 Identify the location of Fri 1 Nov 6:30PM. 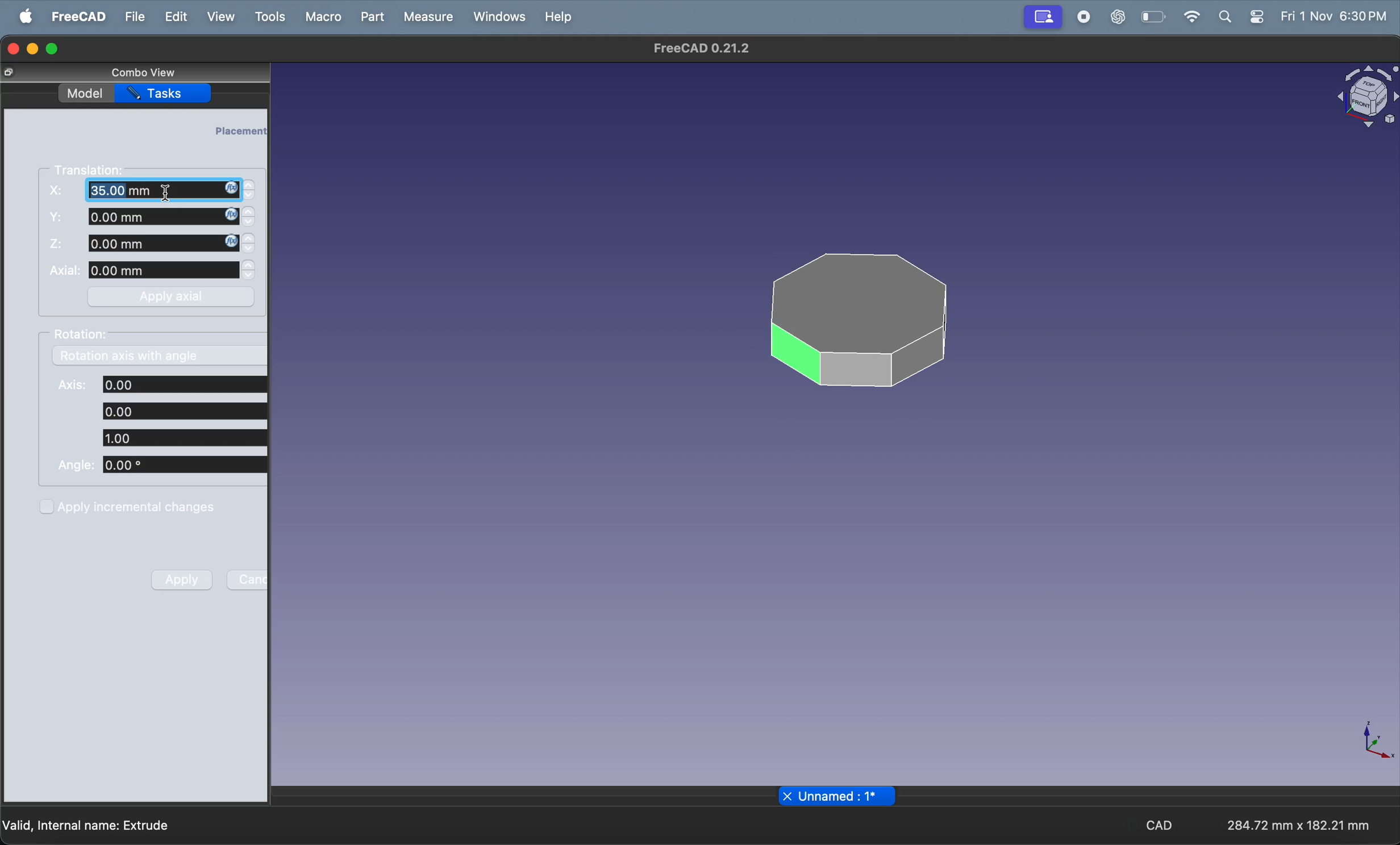
(1336, 16).